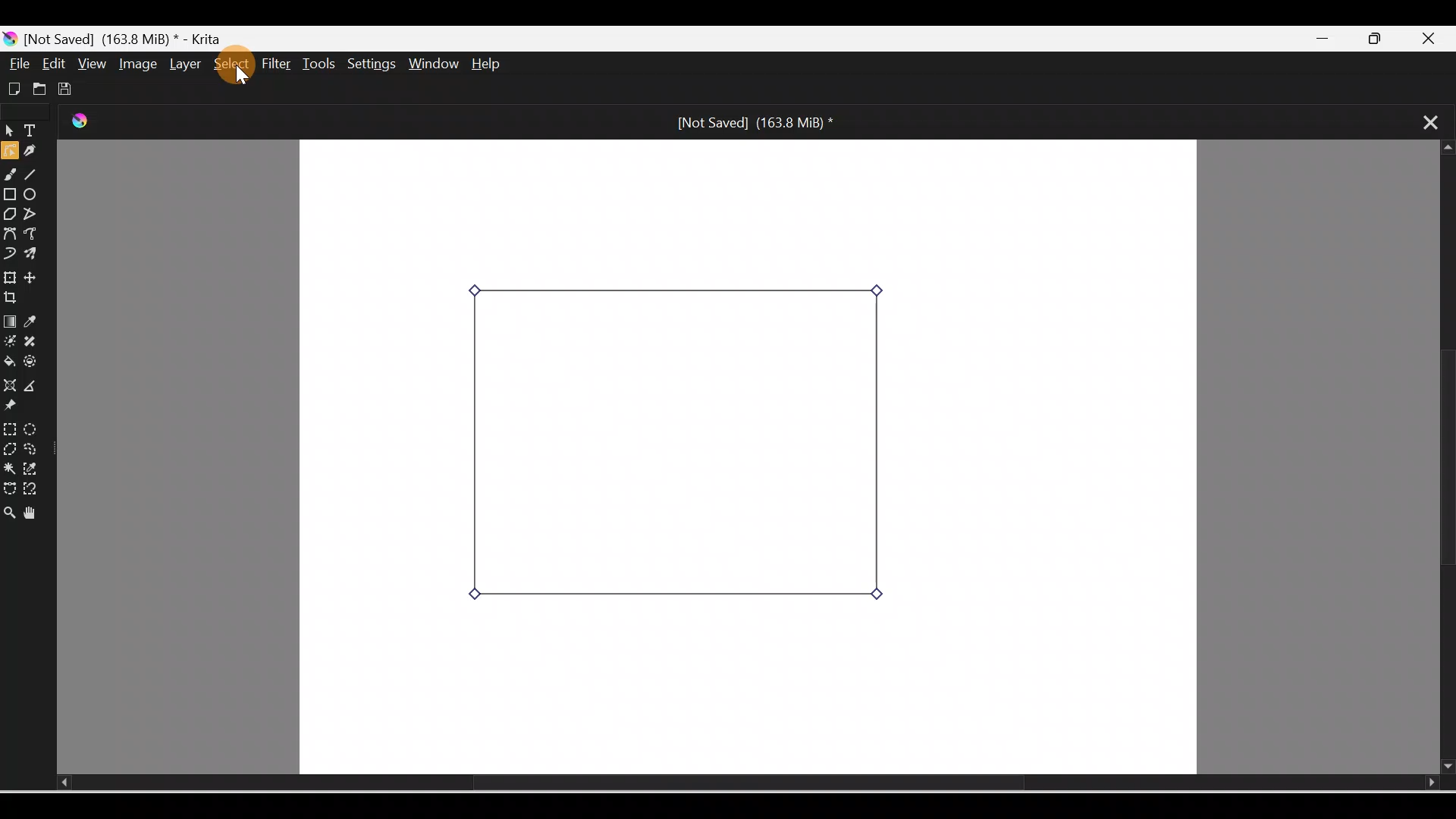  What do you see at coordinates (37, 278) in the screenshot?
I see `Move a layer` at bounding box center [37, 278].